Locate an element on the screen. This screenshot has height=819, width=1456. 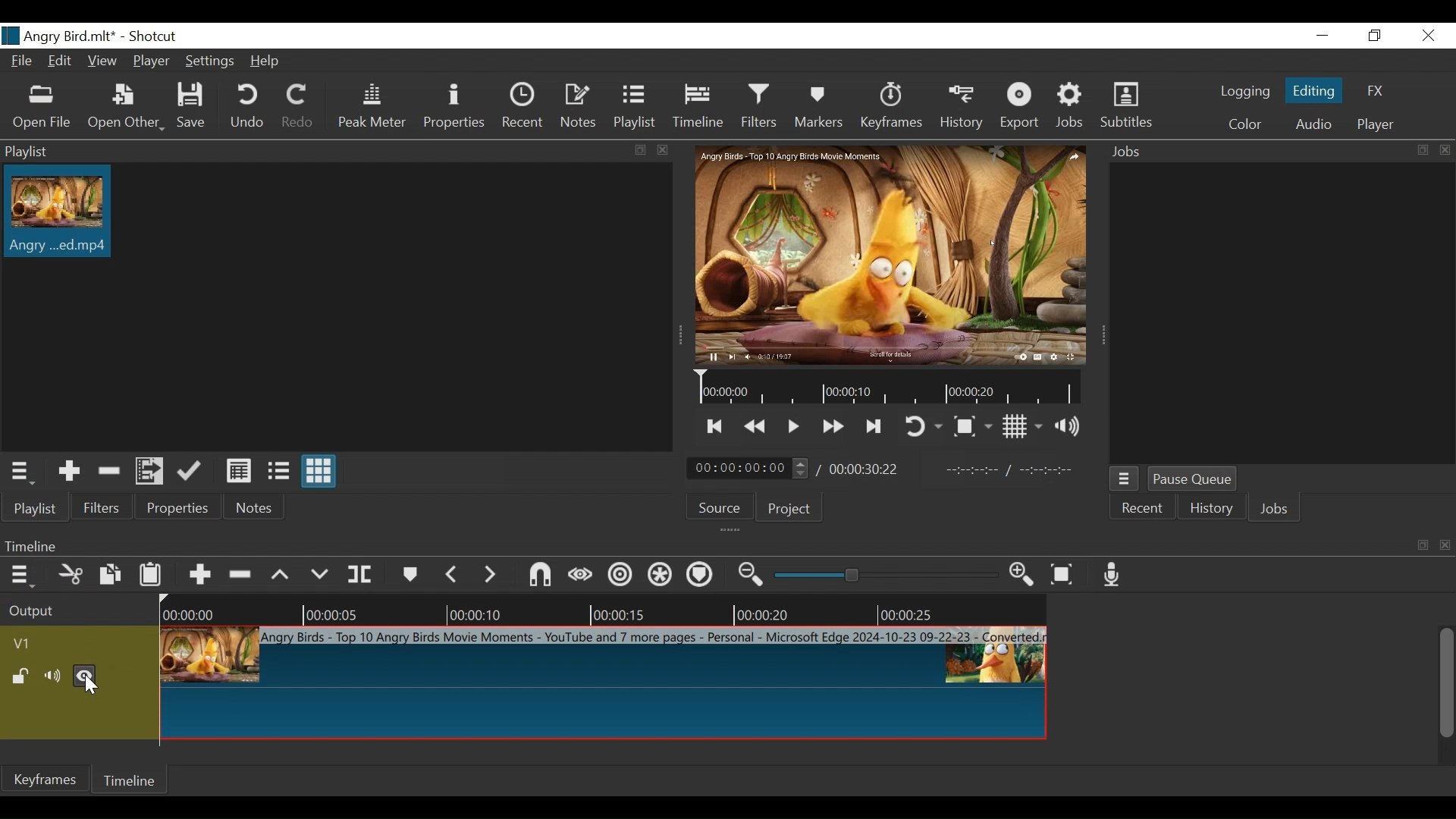
Media Viewer is located at coordinates (890, 255).